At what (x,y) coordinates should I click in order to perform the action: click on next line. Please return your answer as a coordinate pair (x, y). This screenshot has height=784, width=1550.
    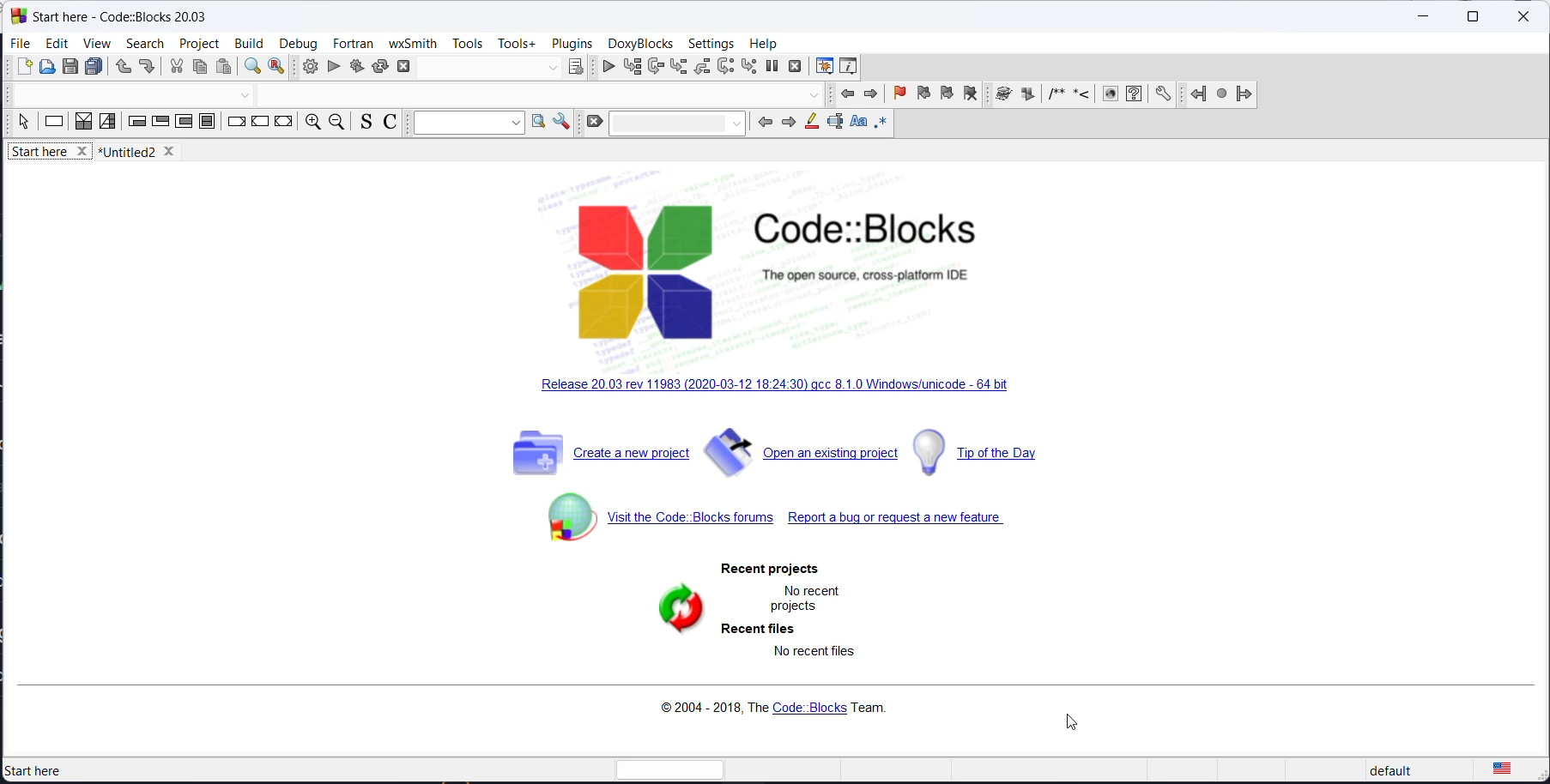
    Looking at the image, I should click on (656, 68).